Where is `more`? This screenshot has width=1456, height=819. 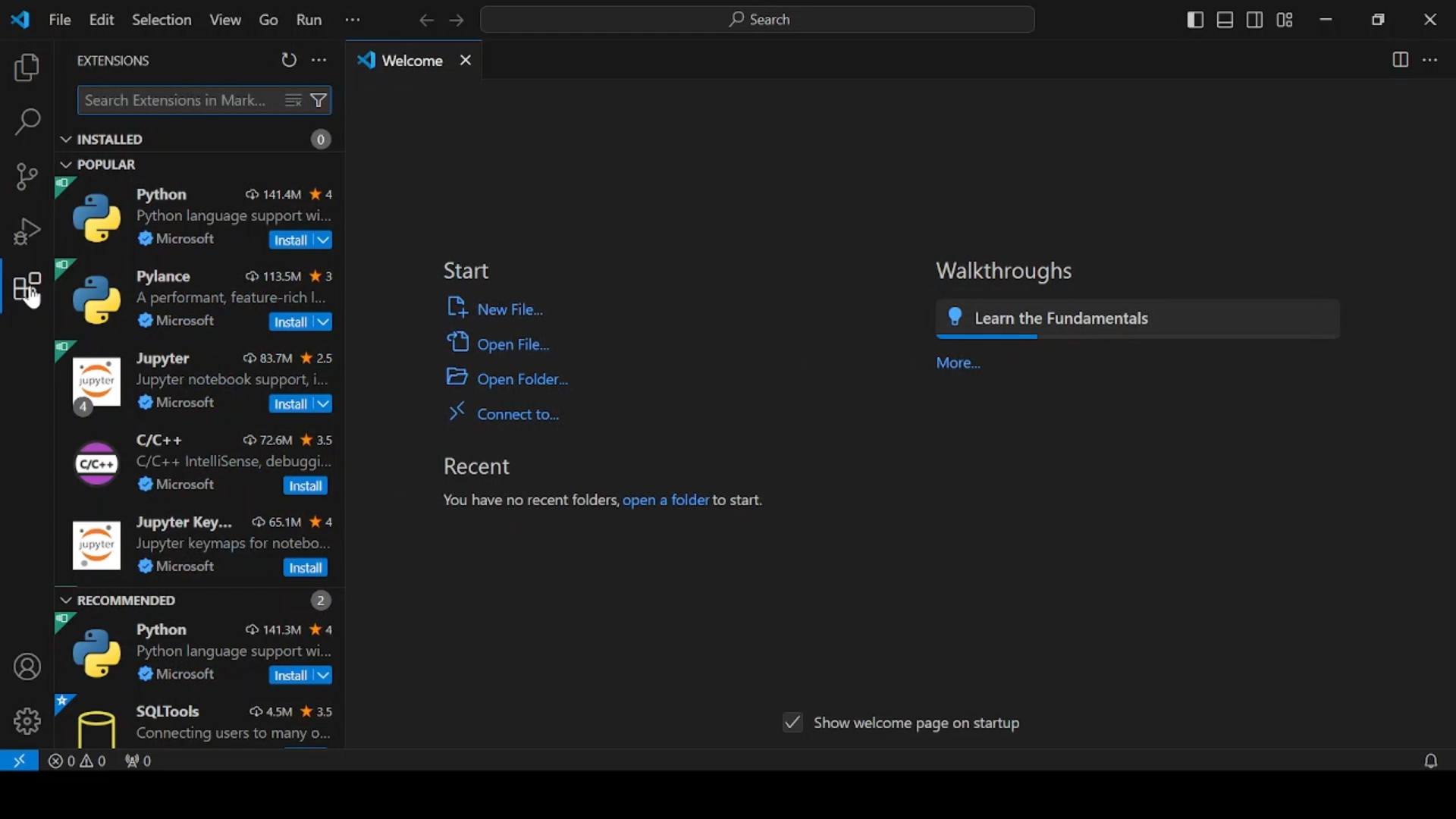
more is located at coordinates (955, 362).